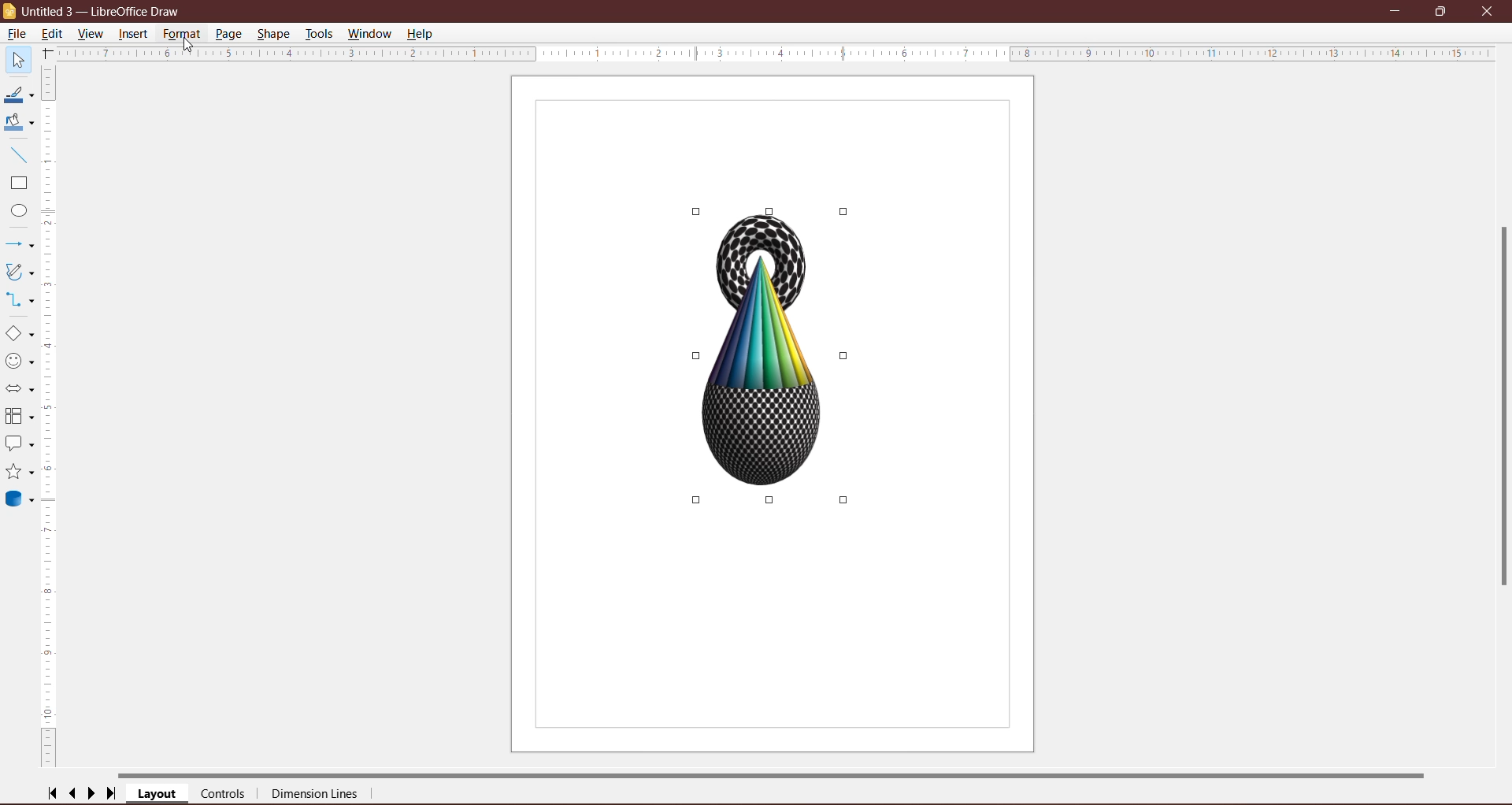 The height and width of the screenshot is (805, 1512). What do you see at coordinates (1490, 12) in the screenshot?
I see `Close` at bounding box center [1490, 12].